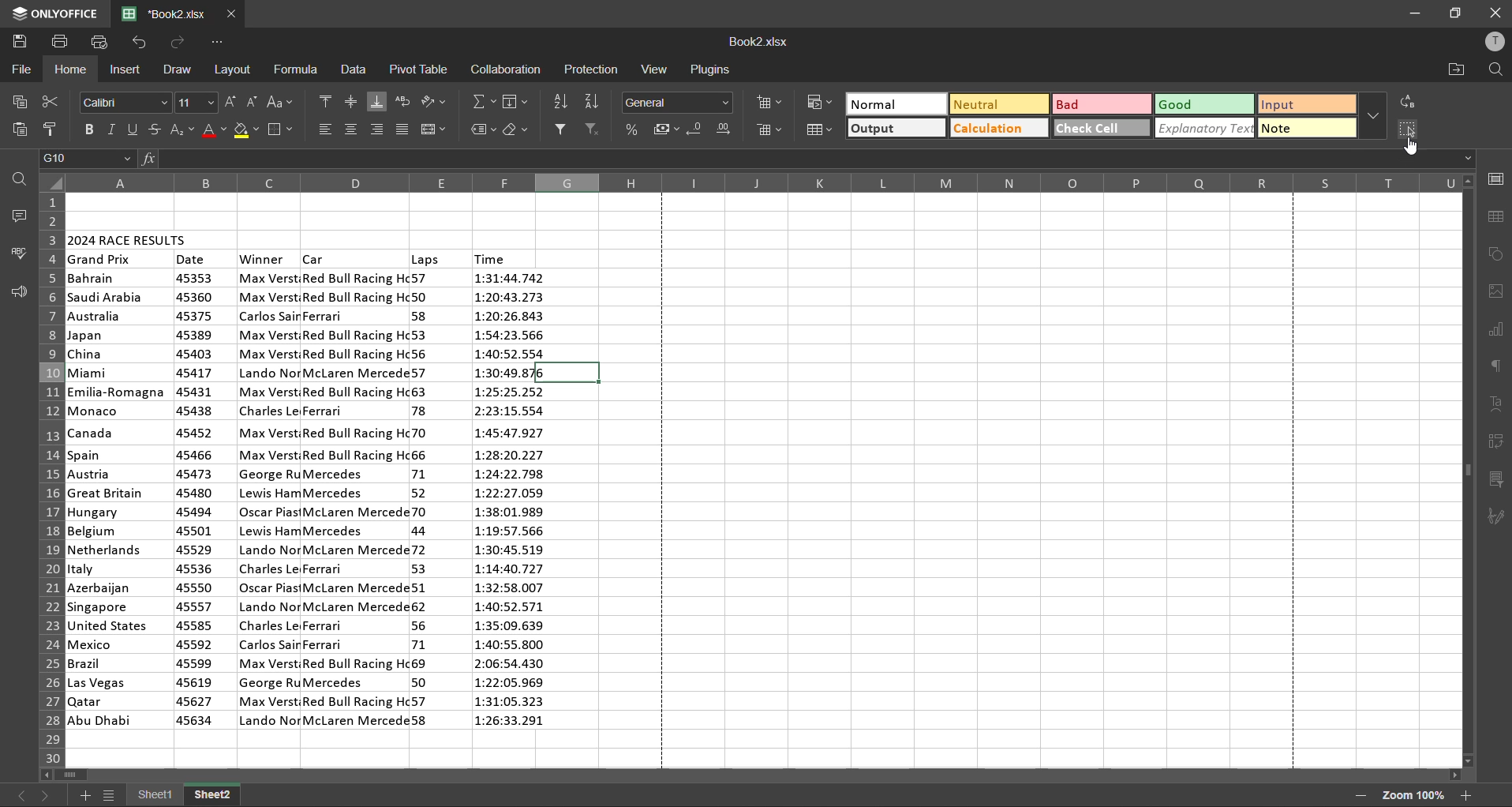 This screenshot has height=807, width=1512. Describe the element at coordinates (270, 499) in the screenshot. I see `winner` at that location.